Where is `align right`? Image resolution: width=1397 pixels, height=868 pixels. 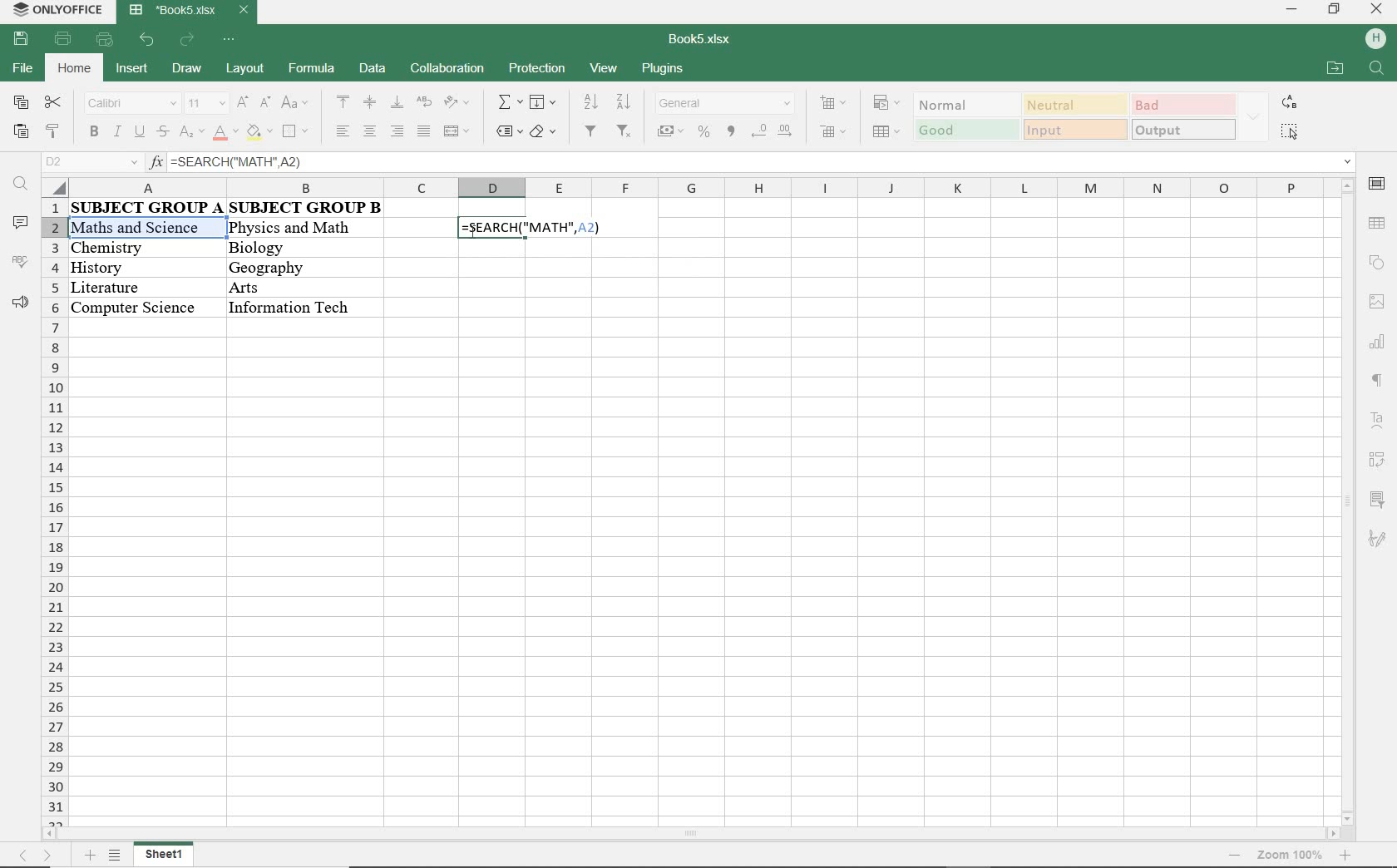
align right is located at coordinates (396, 131).